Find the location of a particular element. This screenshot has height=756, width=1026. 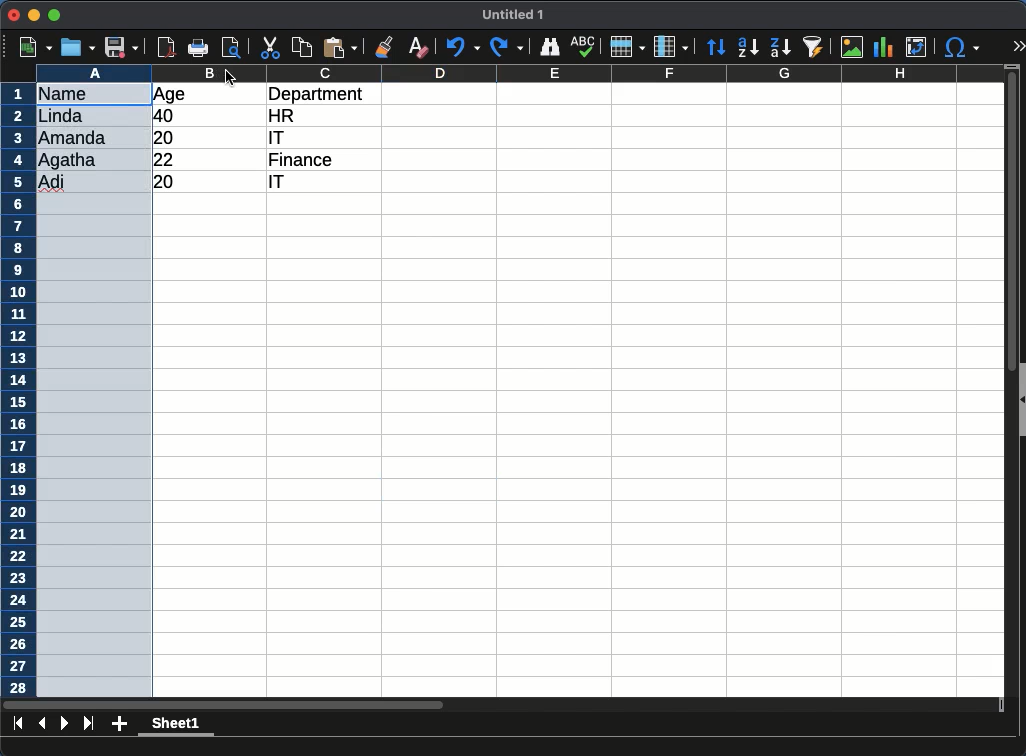

cursor is located at coordinates (233, 80).